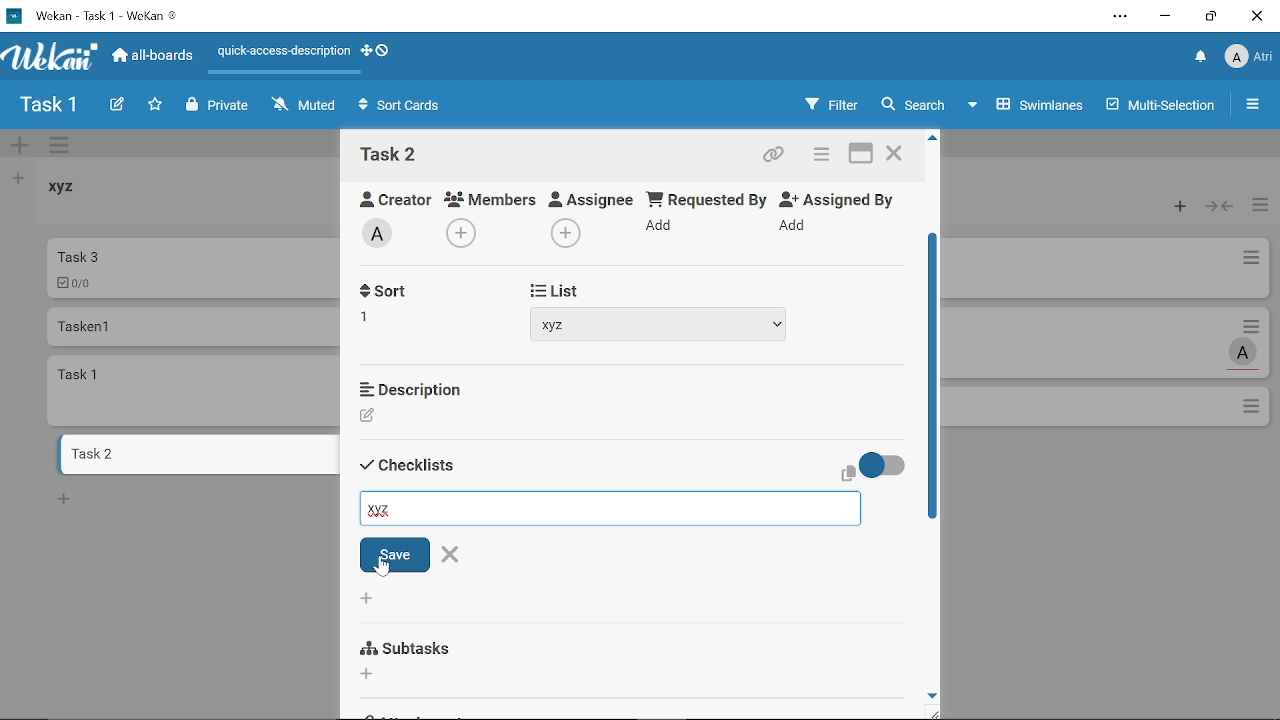 This screenshot has width=1280, height=720. I want to click on Cursor, so click(384, 569).